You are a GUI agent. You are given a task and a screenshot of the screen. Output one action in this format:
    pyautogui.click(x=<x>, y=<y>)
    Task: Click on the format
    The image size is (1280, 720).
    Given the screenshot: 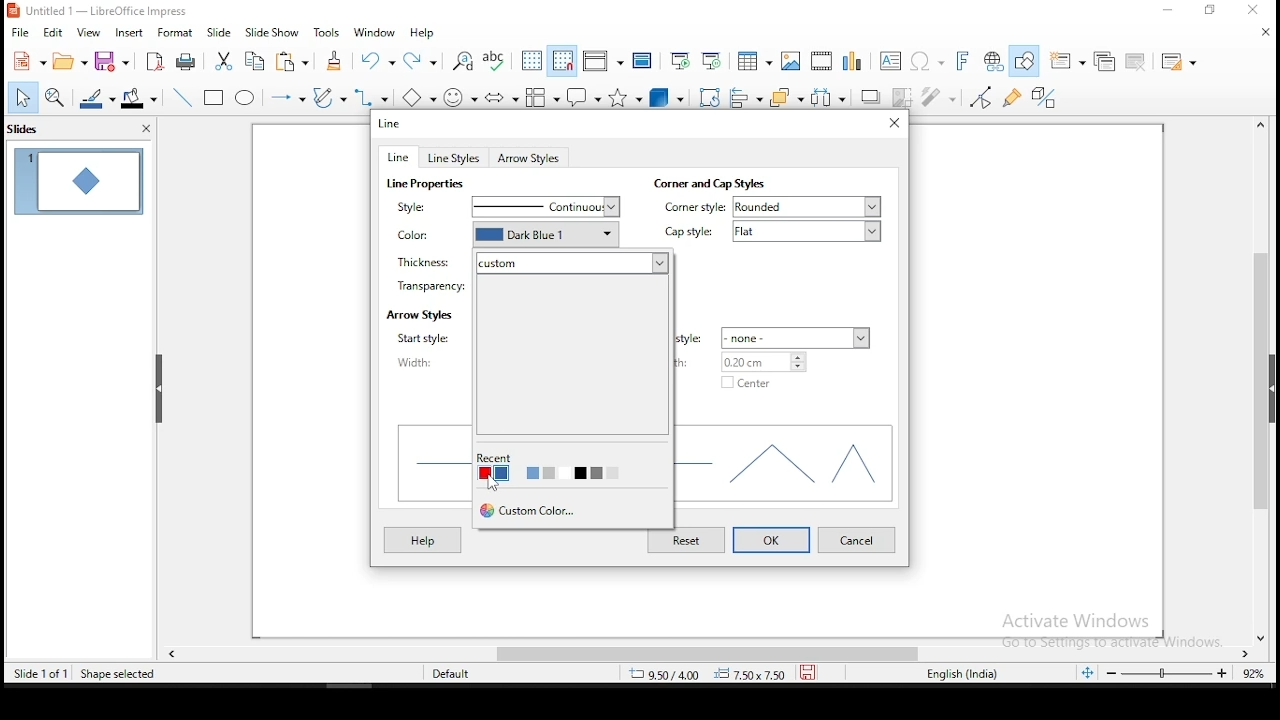 What is the action you would take?
    pyautogui.click(x=176, y=31)
    